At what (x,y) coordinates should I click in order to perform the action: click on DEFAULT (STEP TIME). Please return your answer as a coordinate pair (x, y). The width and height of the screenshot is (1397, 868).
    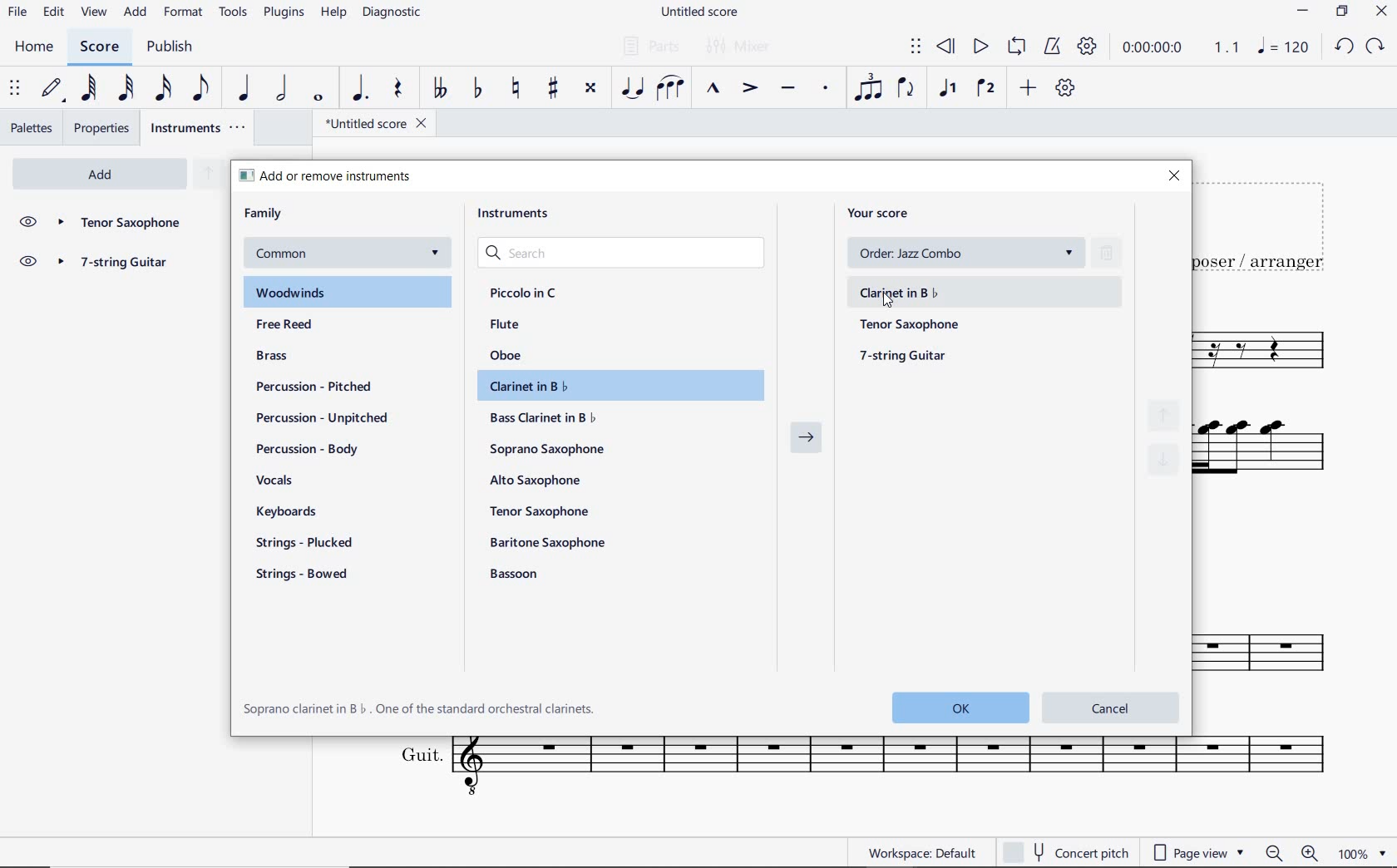
    Looking at the image, I should click on (52, 90).